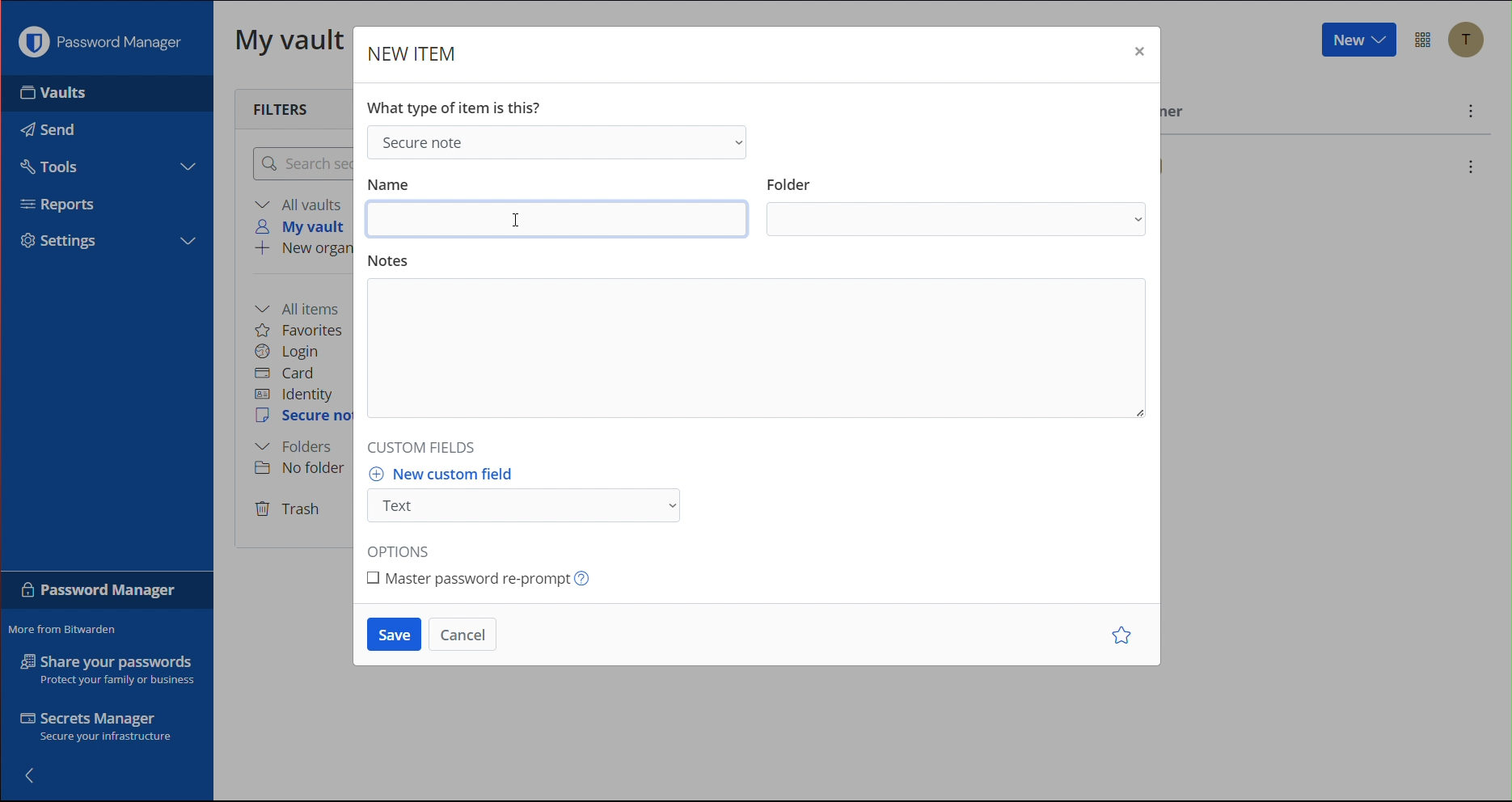 This screenshot has height=802, width=1512. Describe the element at coordinates (99, 729) in the screenshot. I see `Secrets Manager` at that location.